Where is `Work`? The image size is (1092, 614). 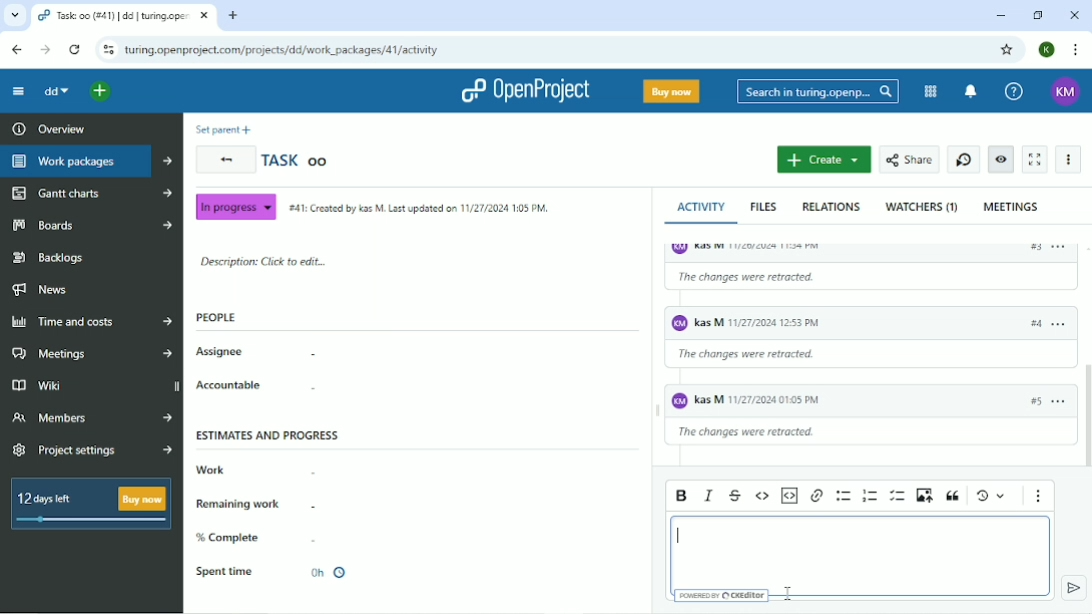 Work is located at coordinates (255, 470).